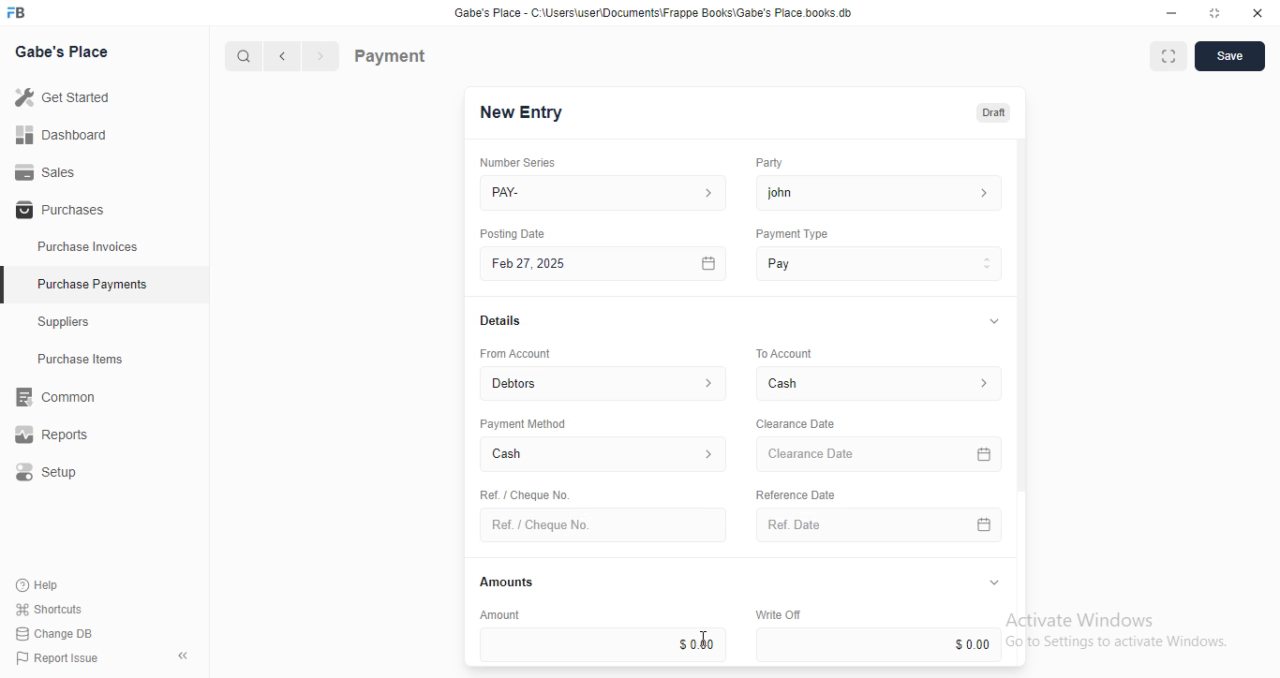 Image resolution: width=1280 pixels, height=678 pixels. Describe the element at coordinates (61, 135) in the screenshot. I see `Dashboard` at that location.